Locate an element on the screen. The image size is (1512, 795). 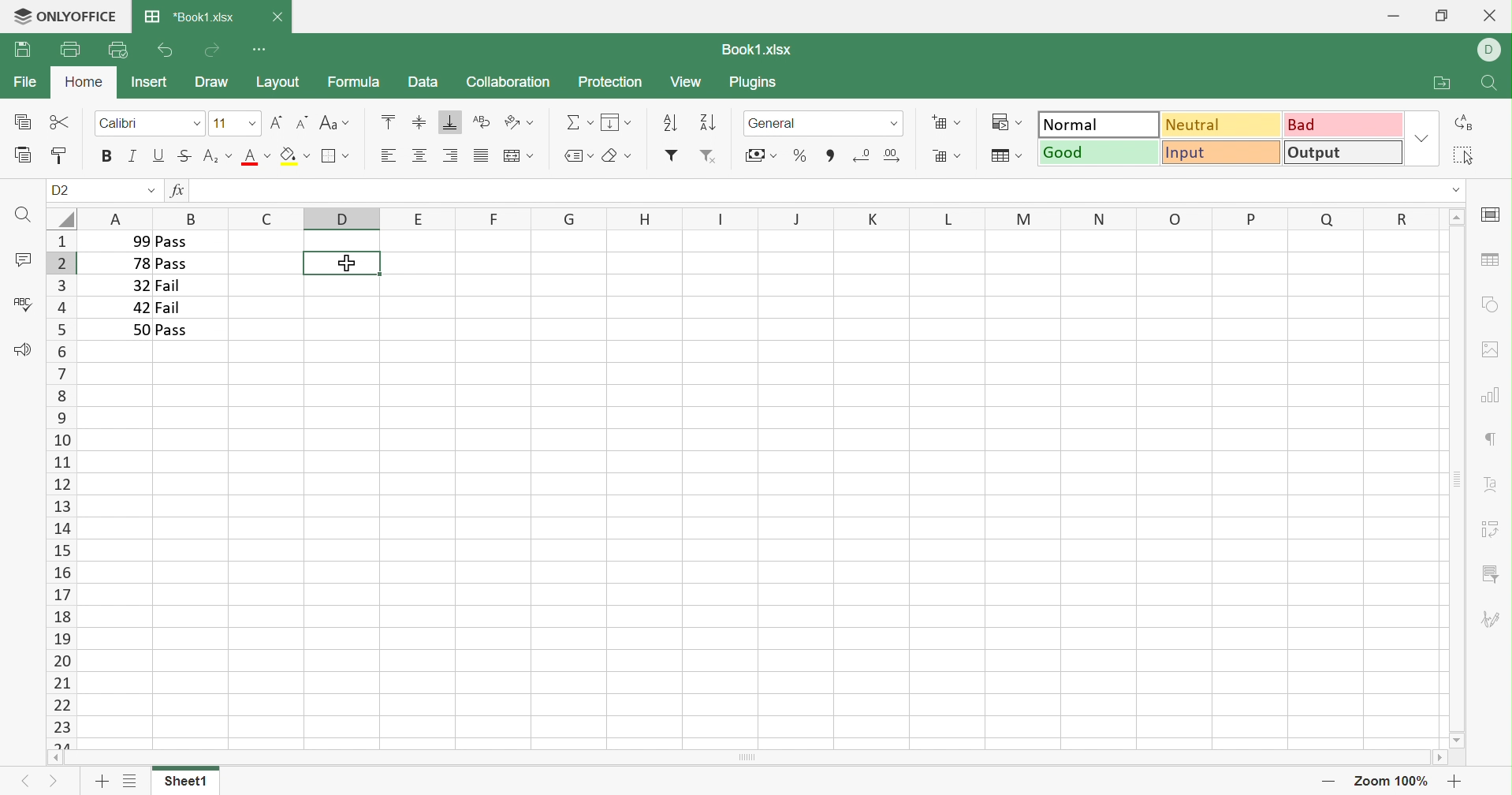
Fail is located at coordinates (167, 286).